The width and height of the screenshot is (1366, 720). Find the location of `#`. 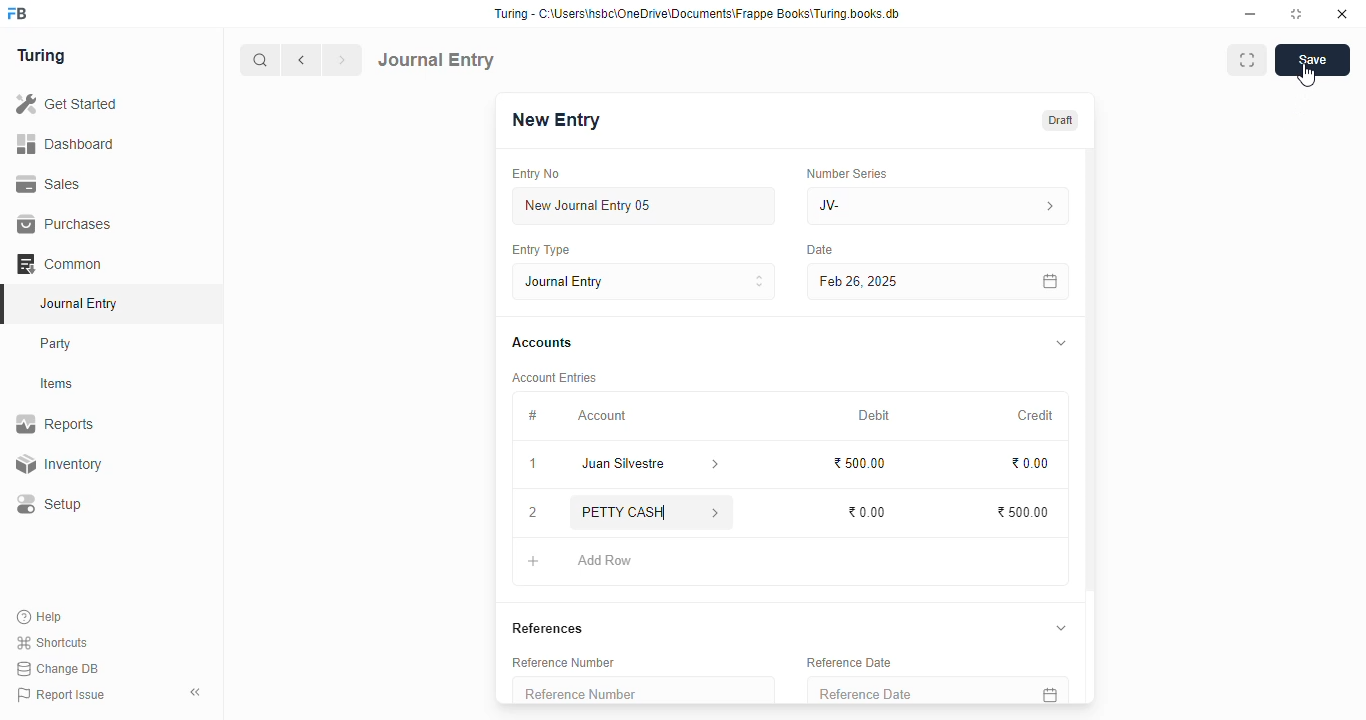

# is located at coordinates (533, 415).